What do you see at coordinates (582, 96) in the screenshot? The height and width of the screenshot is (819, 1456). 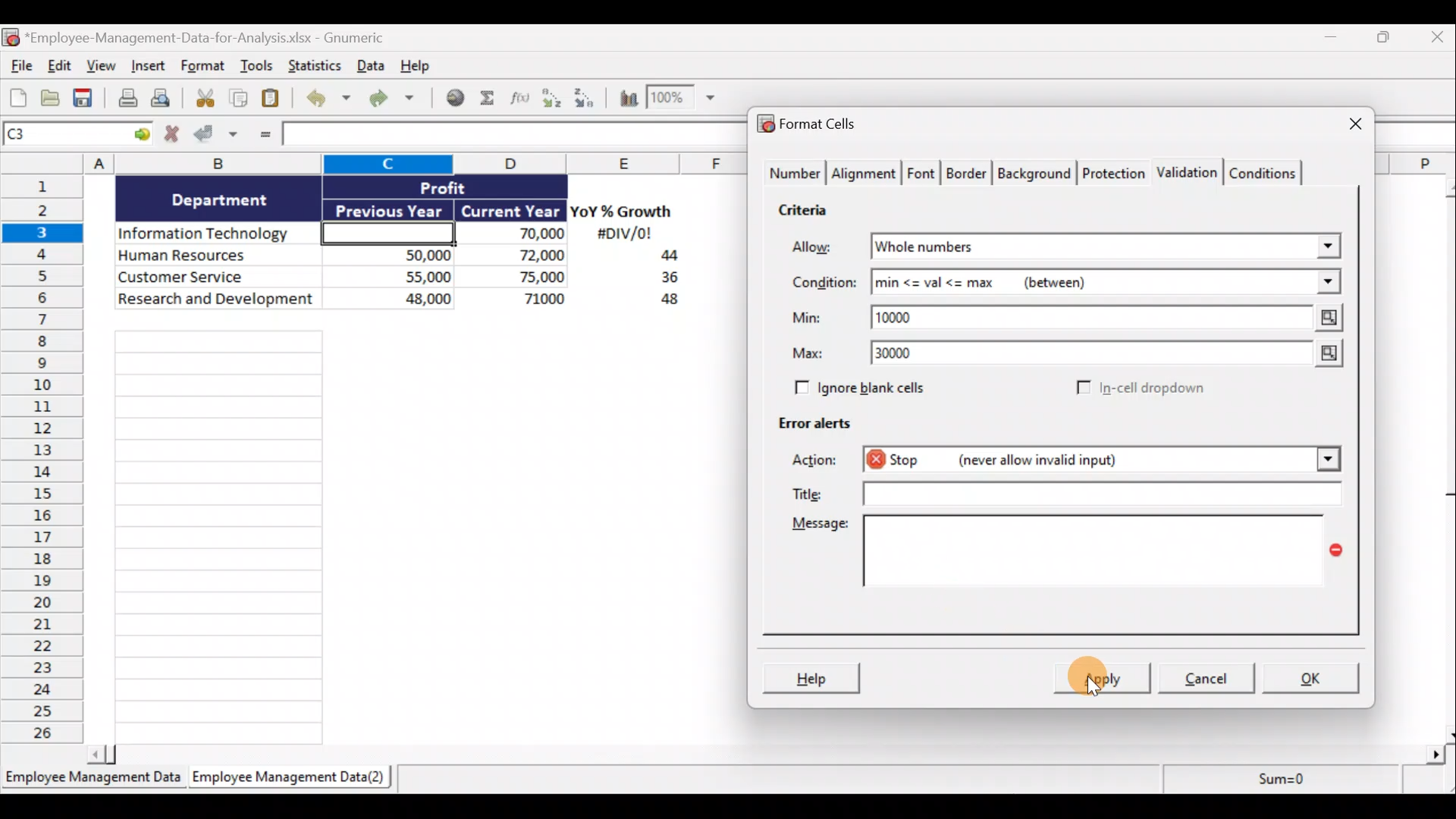 I see `Sort descending` at bounding box center [582, 96].